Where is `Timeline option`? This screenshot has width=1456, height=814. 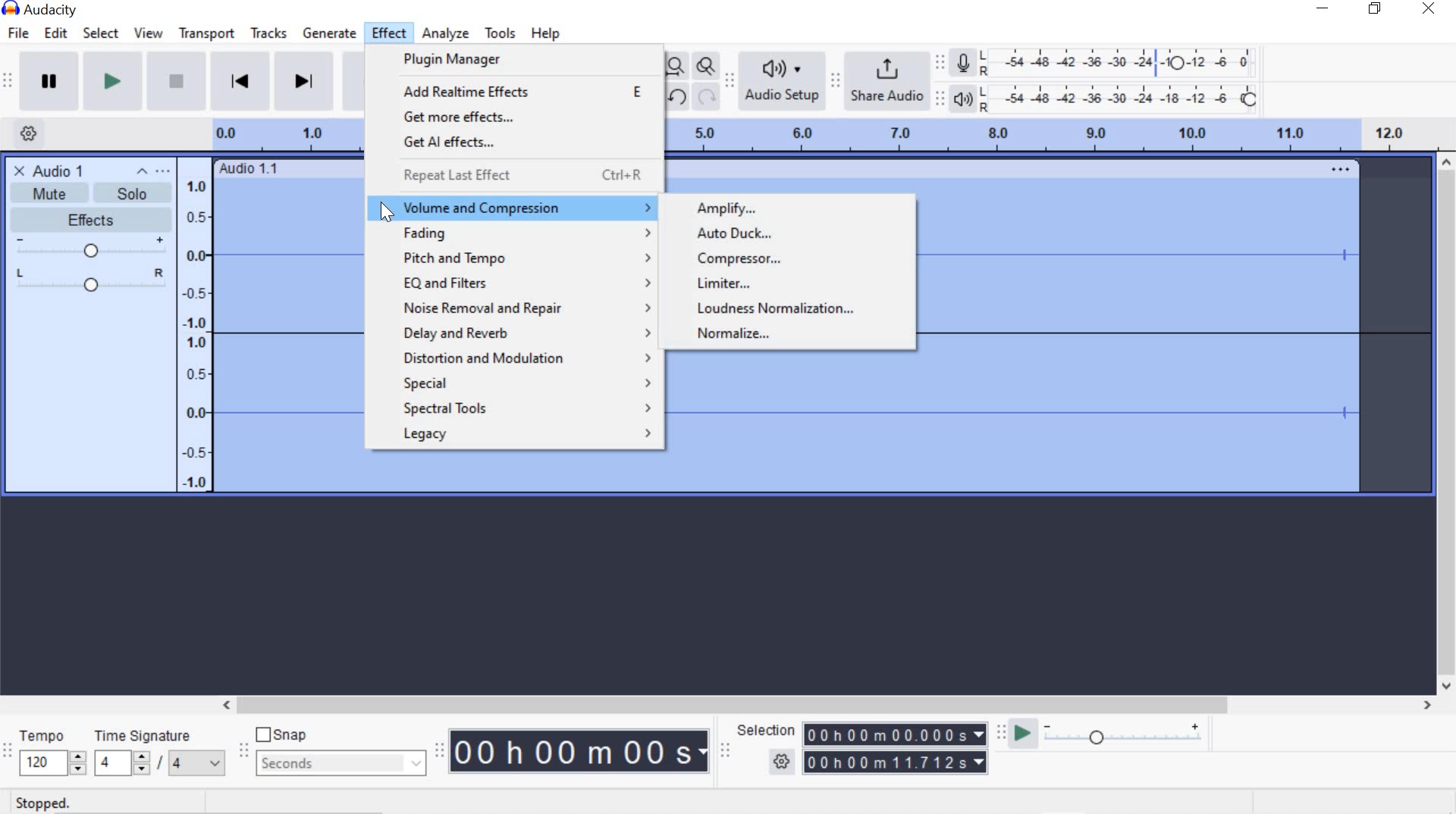
Timeline option is located at coordinates (23, 132).